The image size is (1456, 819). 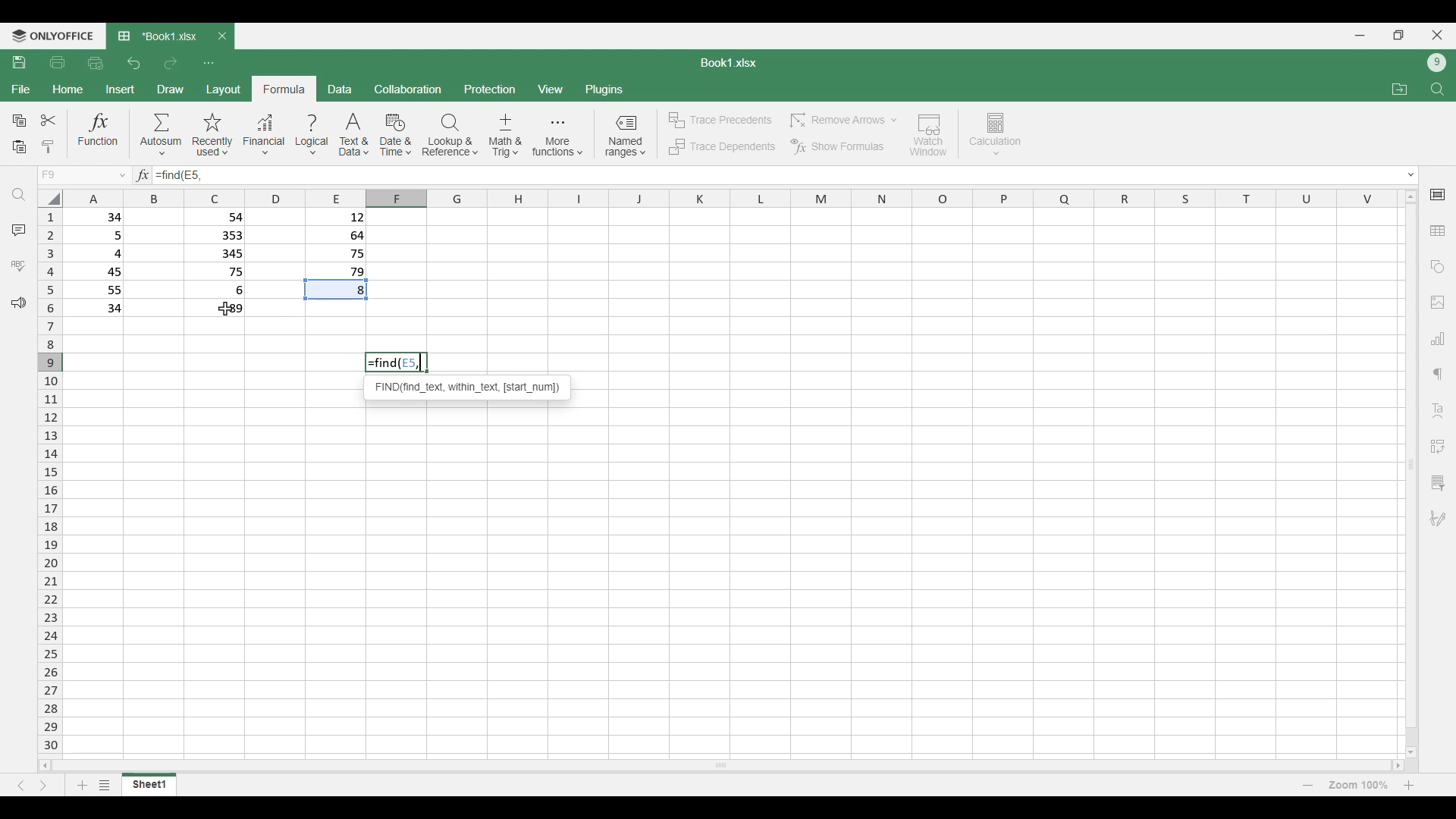 I want to click on Selected cell number, so click(x=412, y=363).